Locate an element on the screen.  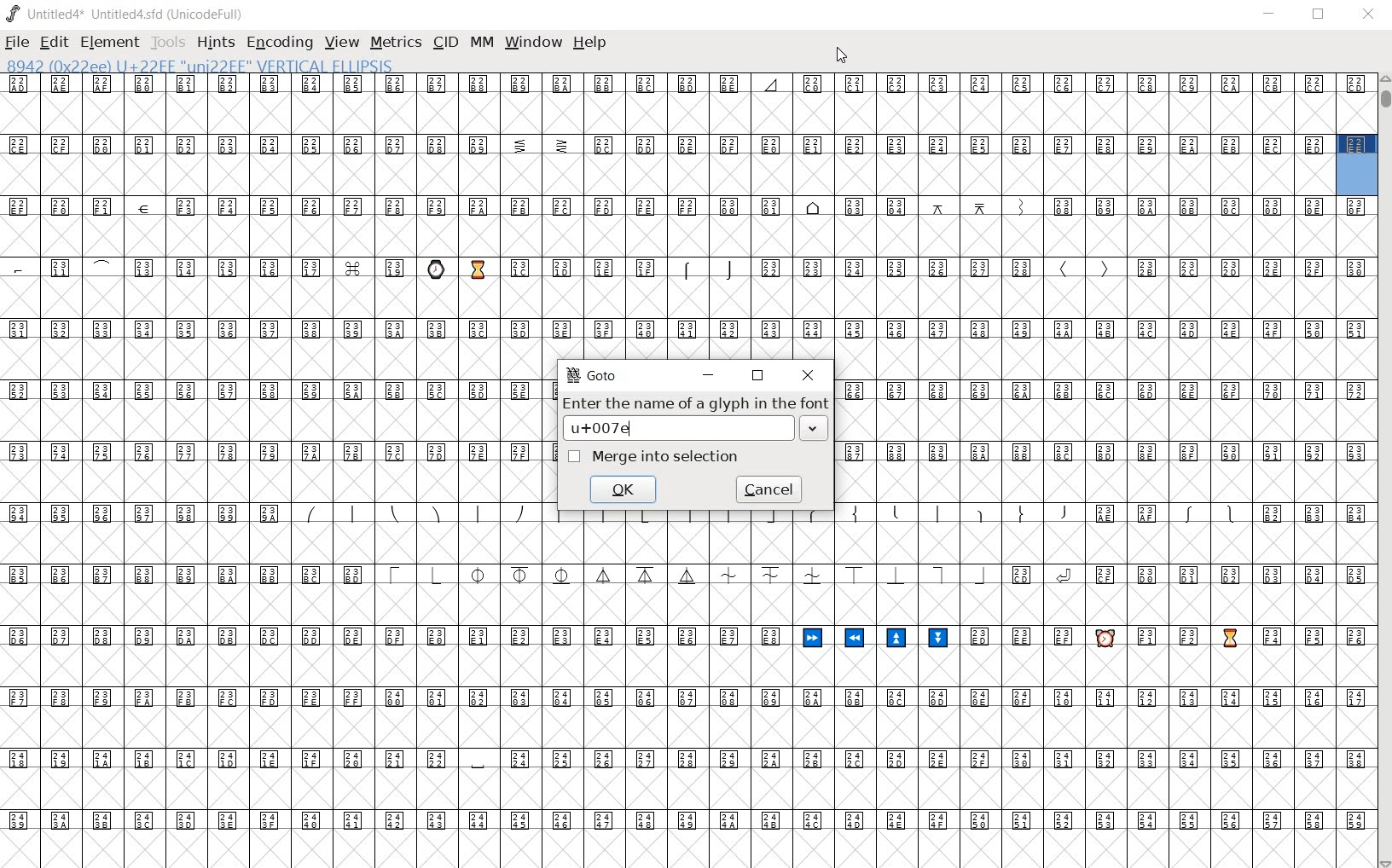
ENCODING is located at coordinates (281, 42).